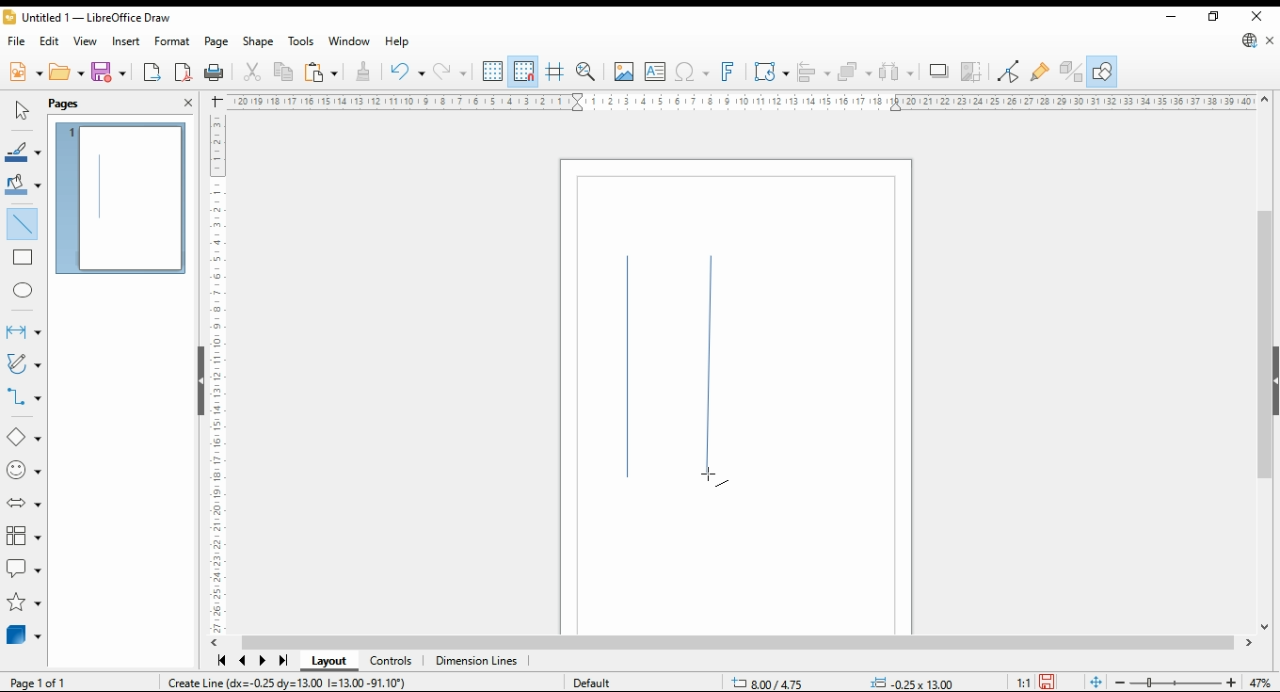 This screenshot has width=1280, height=692. What do you see at coordinates (692, 72) in the screenshot?
I see `insert special characters` at bounding box center [692, 72].